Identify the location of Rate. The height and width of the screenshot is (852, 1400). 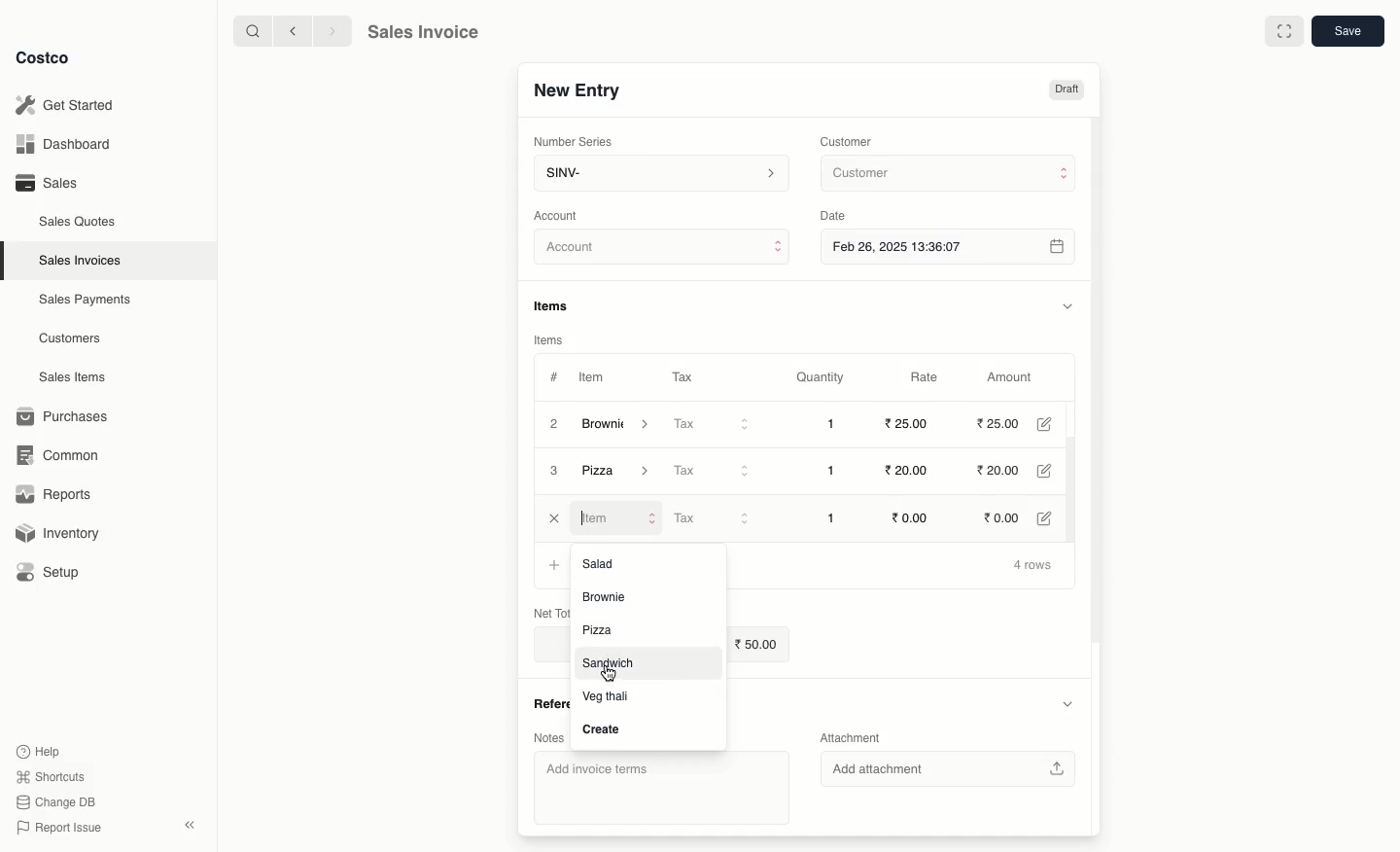
(927, 377).